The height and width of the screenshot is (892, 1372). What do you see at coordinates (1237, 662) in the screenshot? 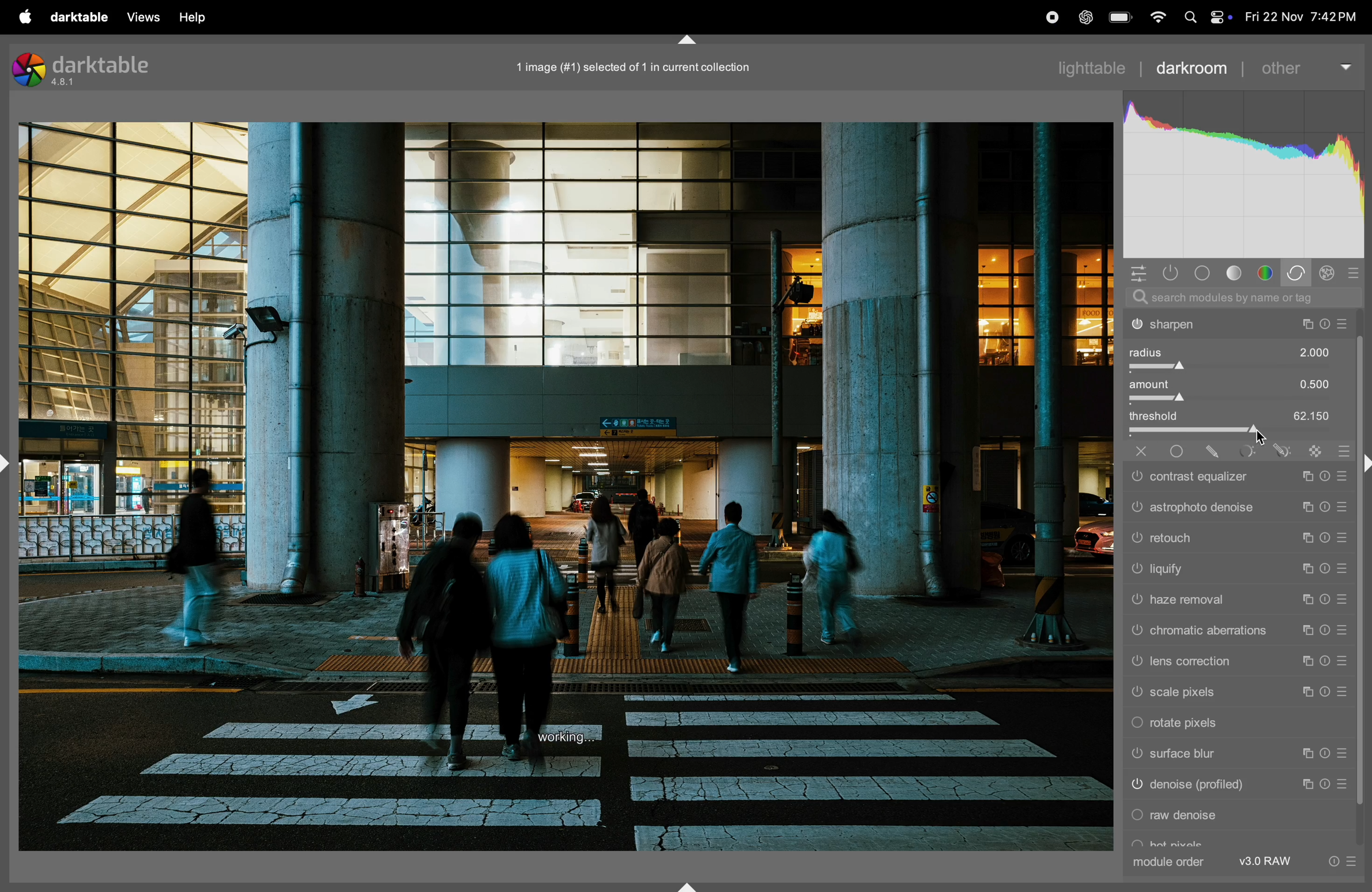
I see `lens correction` at bounding box center [1237, 662].